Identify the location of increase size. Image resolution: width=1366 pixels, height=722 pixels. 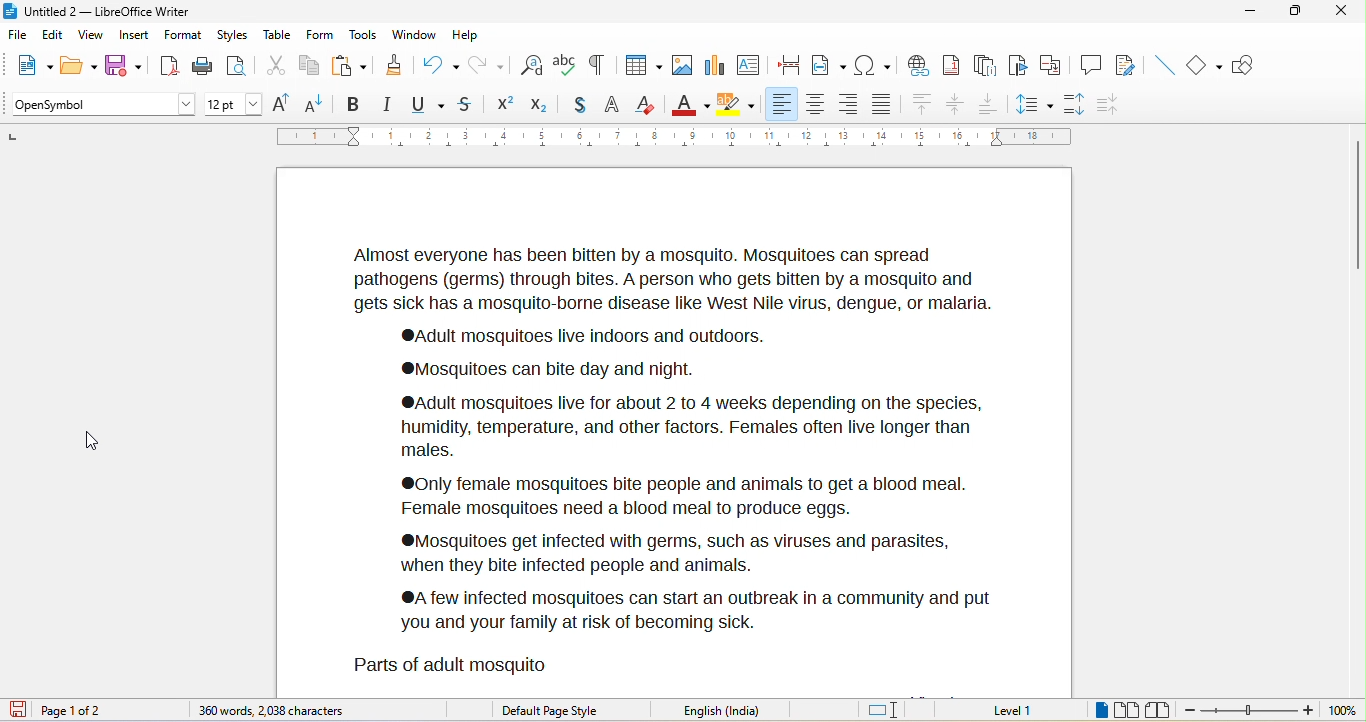
(284, 102).